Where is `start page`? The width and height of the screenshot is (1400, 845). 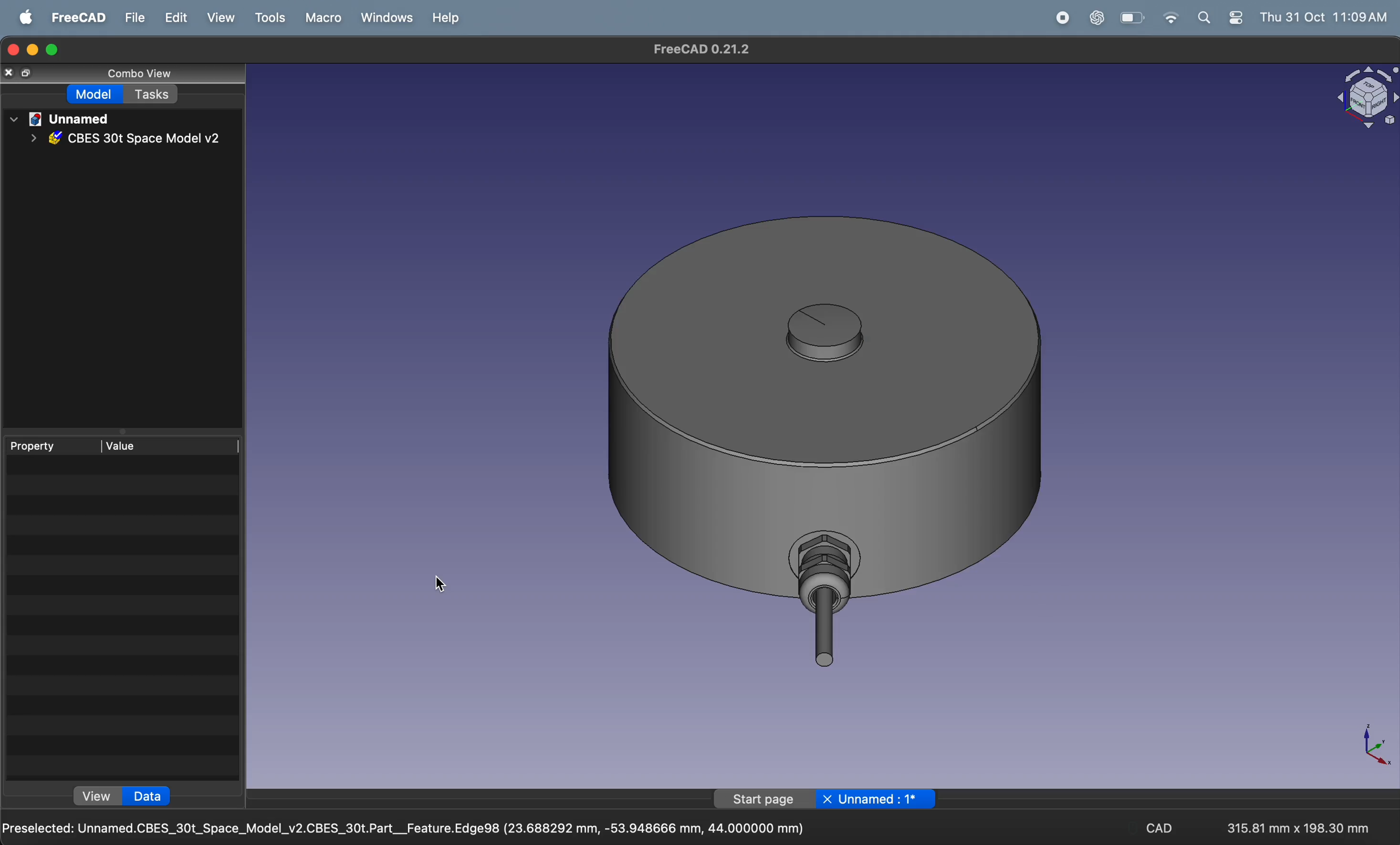 start page is located at coordinates (766, 800).